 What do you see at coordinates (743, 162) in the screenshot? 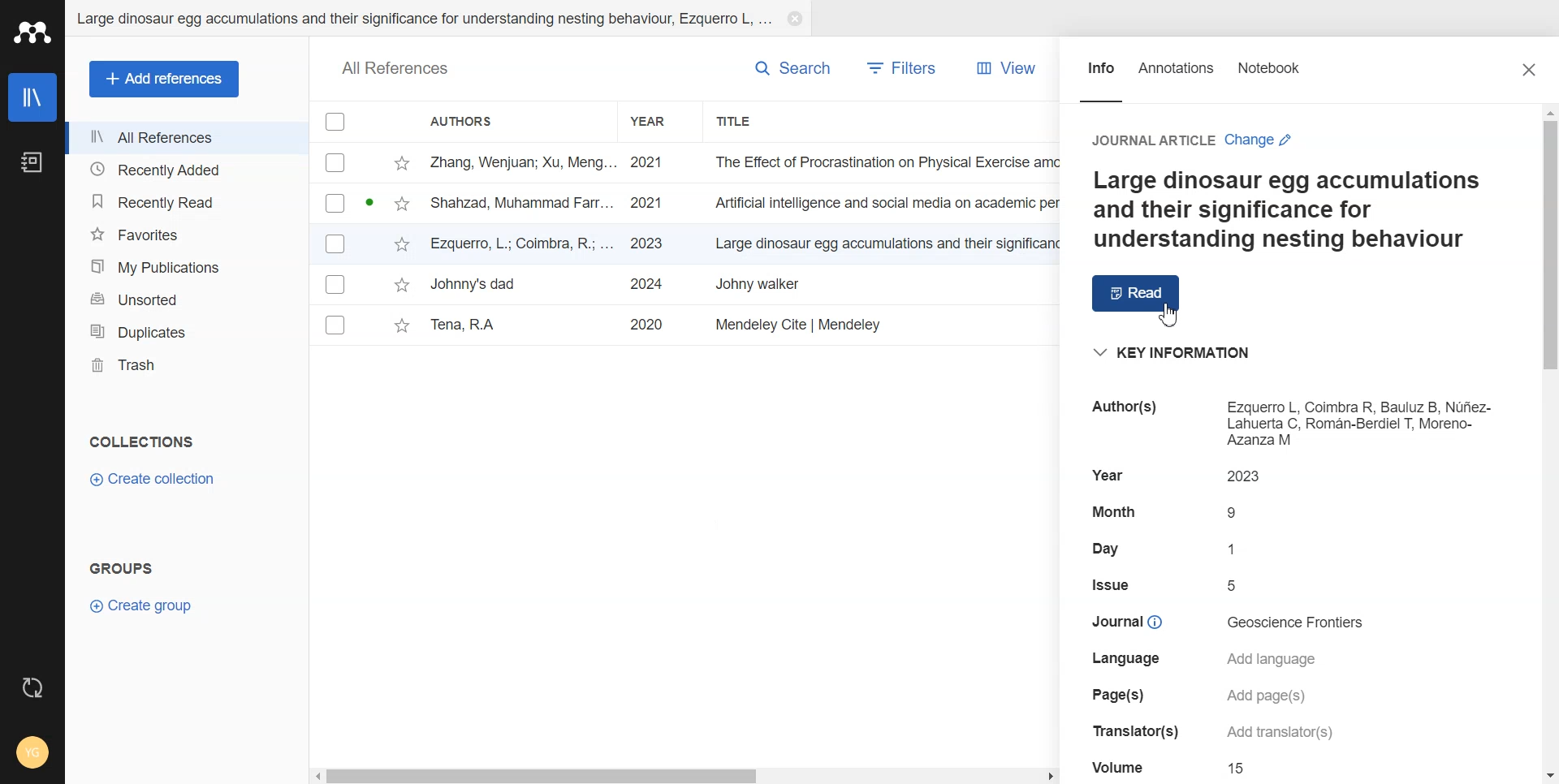
I see `File` at bounding box center [743, 162].